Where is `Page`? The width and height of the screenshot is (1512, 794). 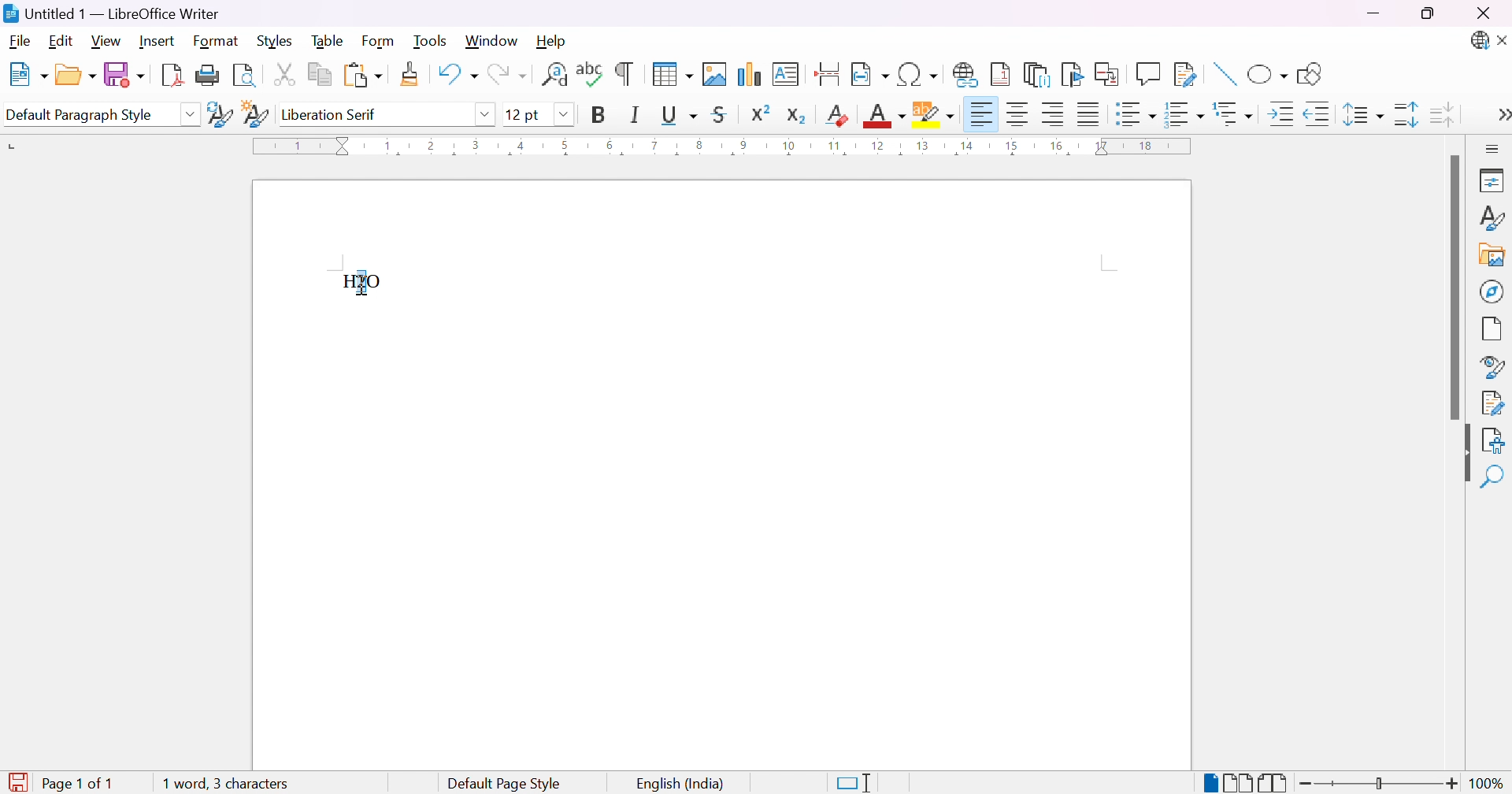
Page is located at coordinates (1493, 331).